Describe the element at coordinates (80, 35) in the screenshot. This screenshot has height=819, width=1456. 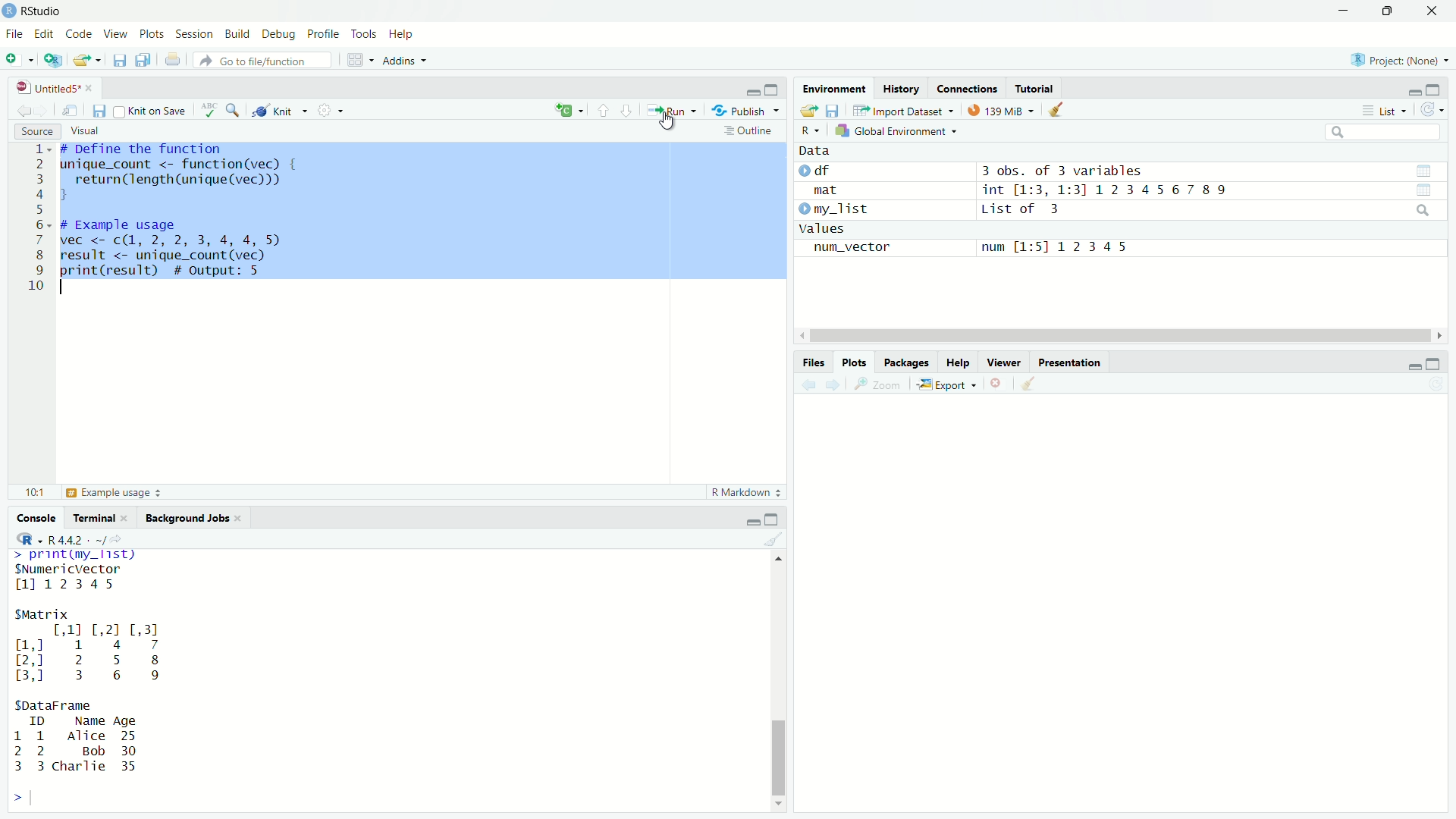
I see `Code` at that location.